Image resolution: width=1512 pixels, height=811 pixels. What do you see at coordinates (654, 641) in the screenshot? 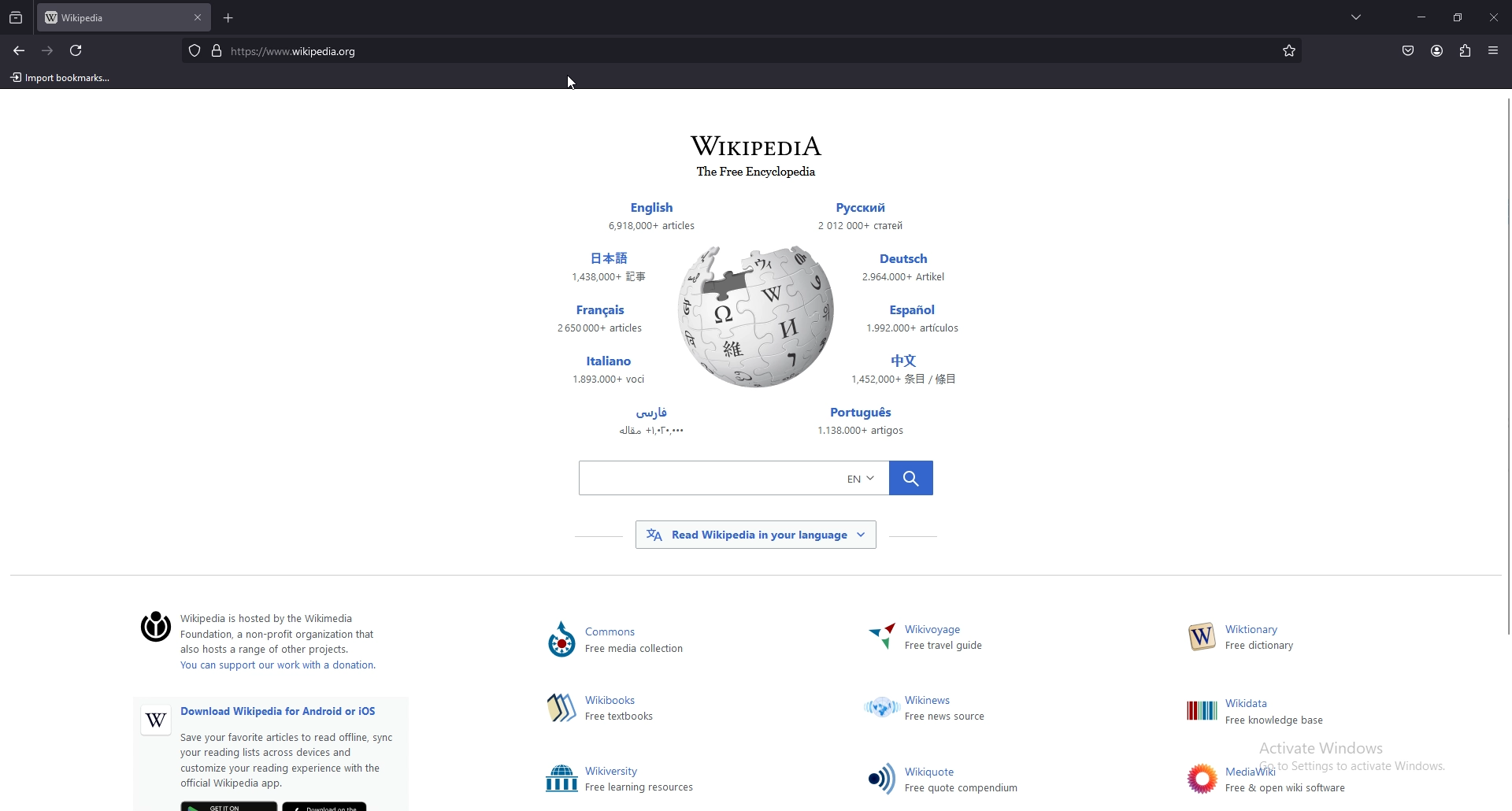
I see `Lommons
) Free media collection` at bounding box center [654, 641].